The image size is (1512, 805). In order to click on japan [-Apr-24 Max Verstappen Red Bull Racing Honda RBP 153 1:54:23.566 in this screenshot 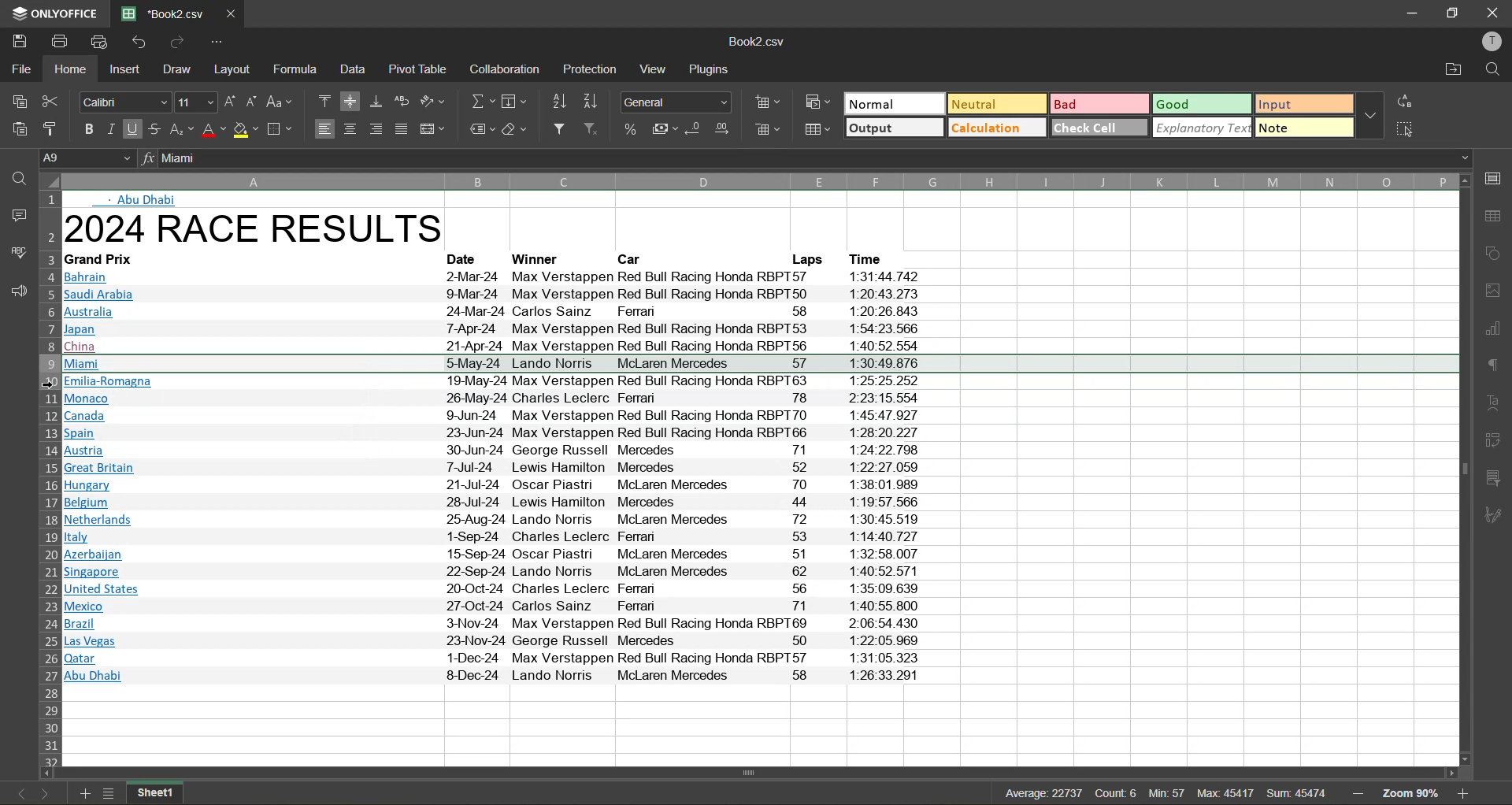, I will do `click(495, 332)`.